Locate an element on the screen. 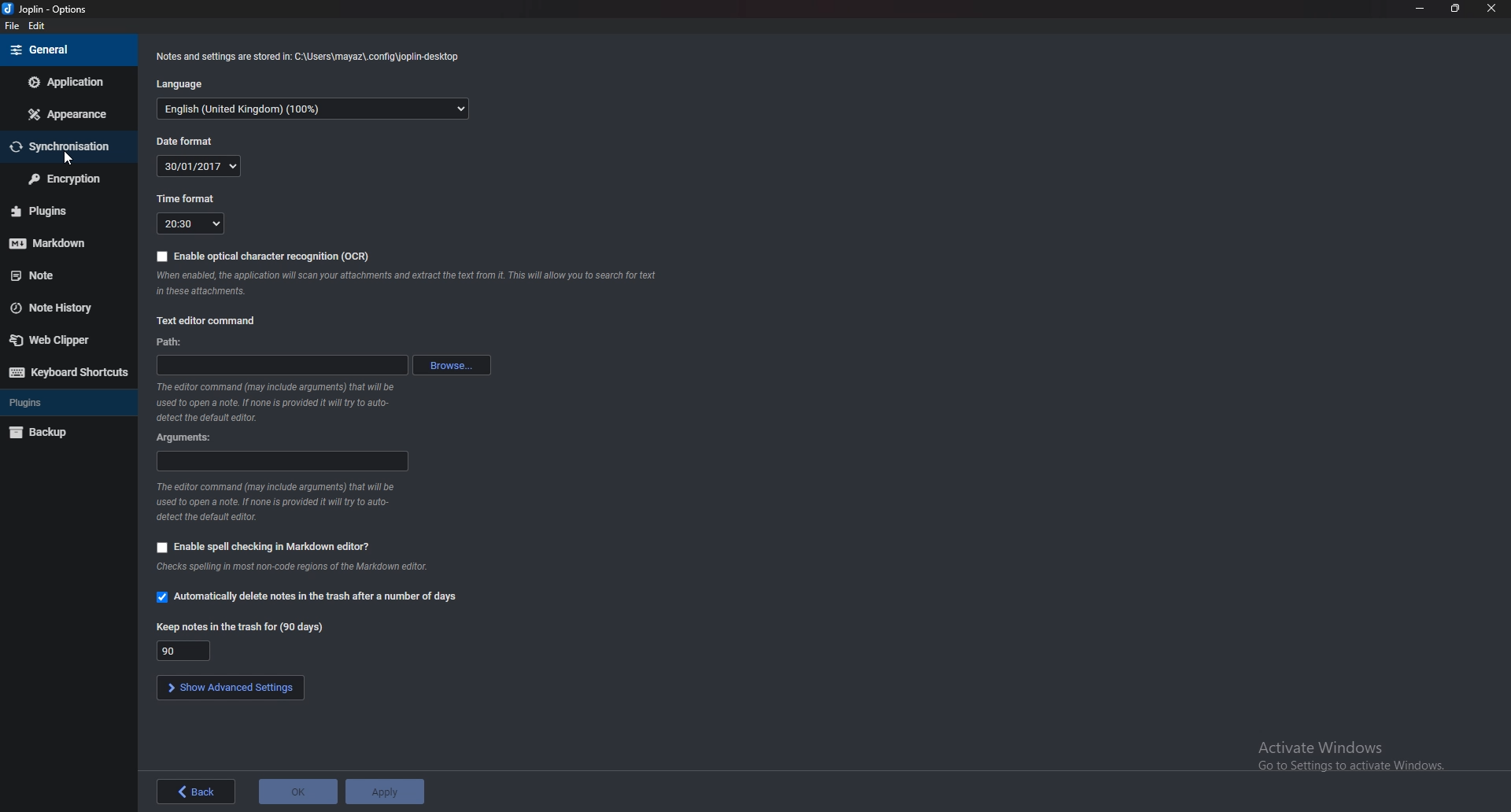  arguments input is located at coordinates (283, 460).